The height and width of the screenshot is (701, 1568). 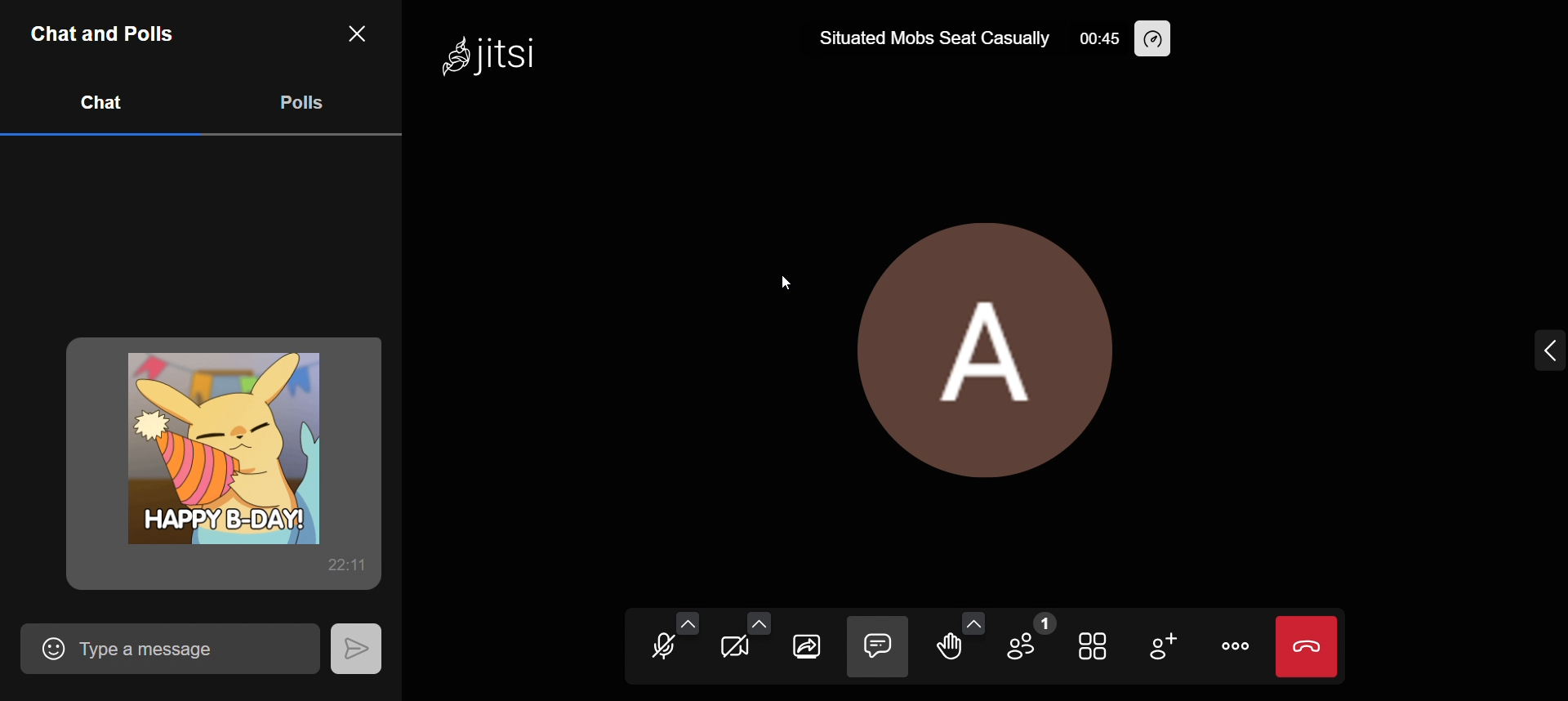 What do you see at coordinates (1160, 642) in the screenshot?
I see `invite people` at bounding box center [1160, 642].